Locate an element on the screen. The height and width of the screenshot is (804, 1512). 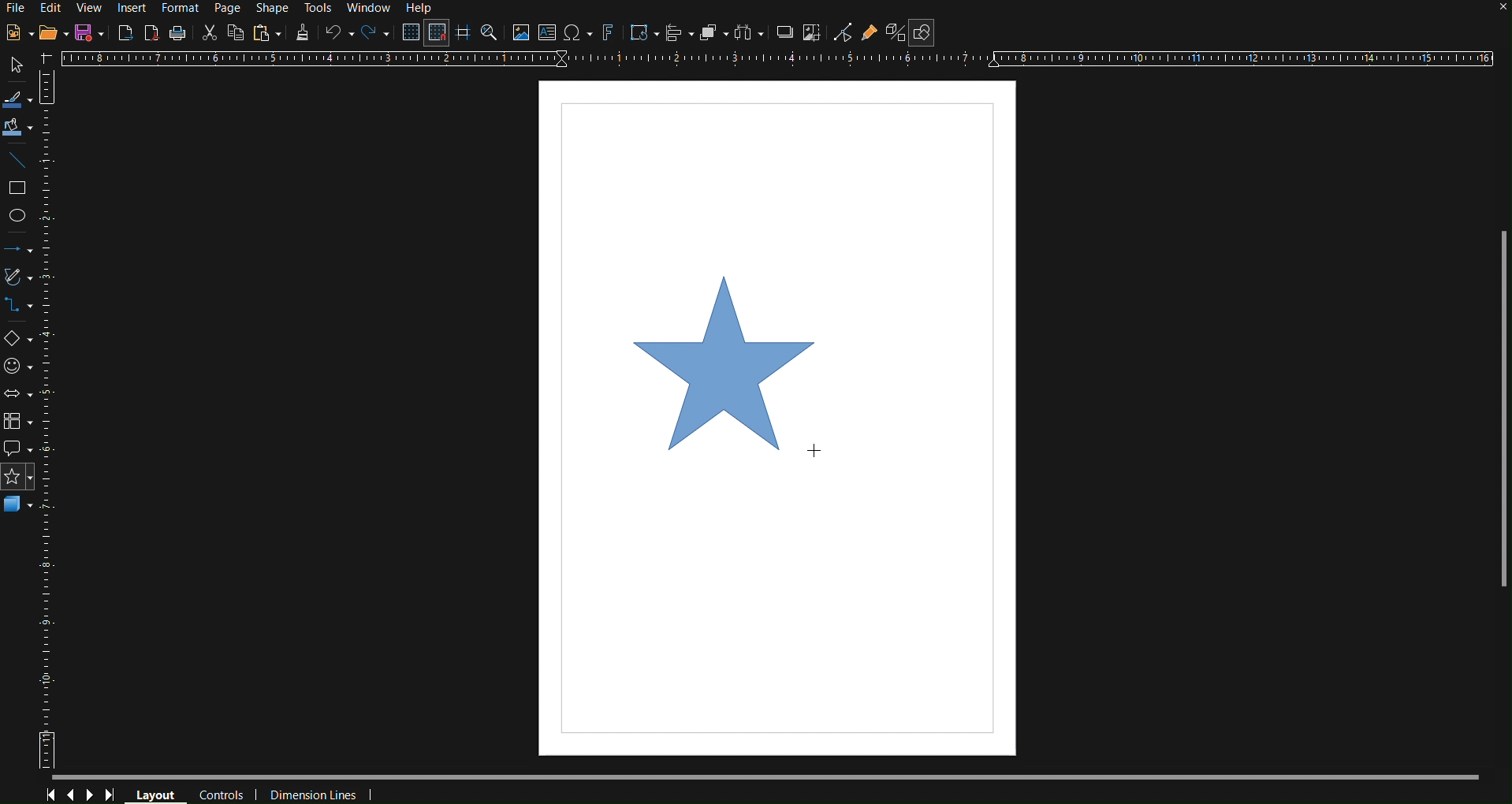
Export is located at coordinates (125, 32).